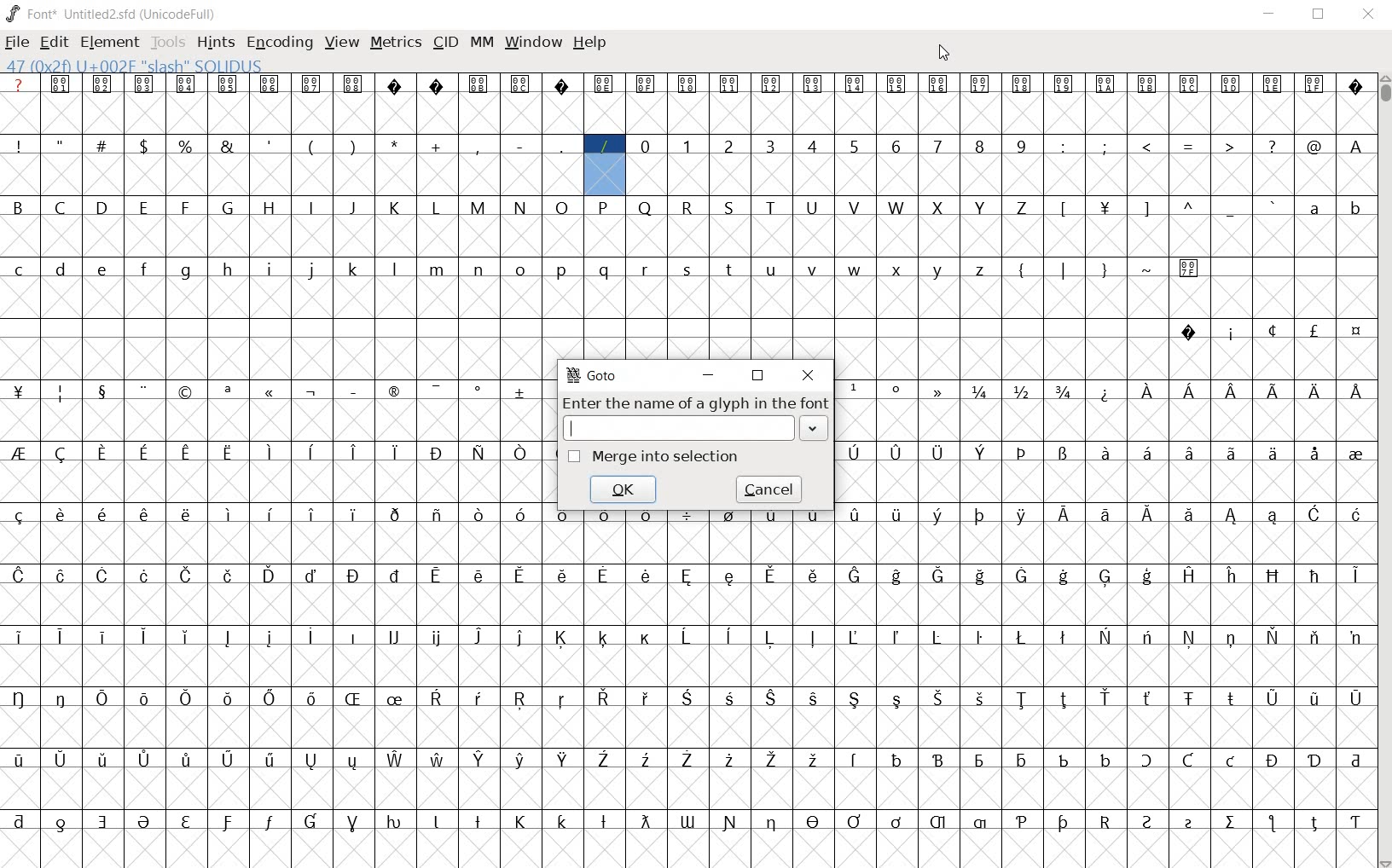 This screenshot has width=1392, height=868. What do you see at coordinates (937, 576) in the screenshot?
I see `glyph` at bounding box center [937, 576].